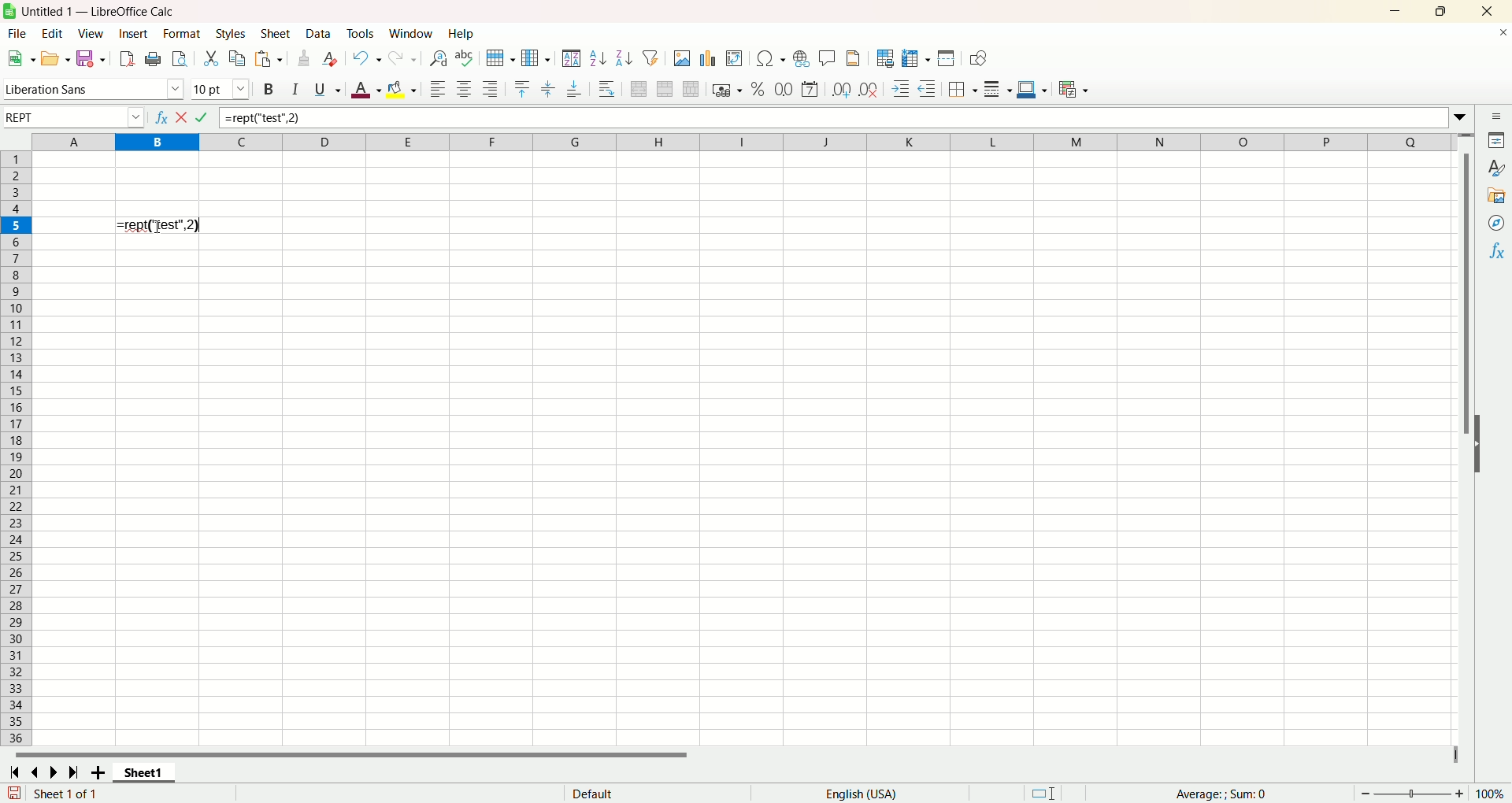  I want to click on column selected, so click(157, 142).